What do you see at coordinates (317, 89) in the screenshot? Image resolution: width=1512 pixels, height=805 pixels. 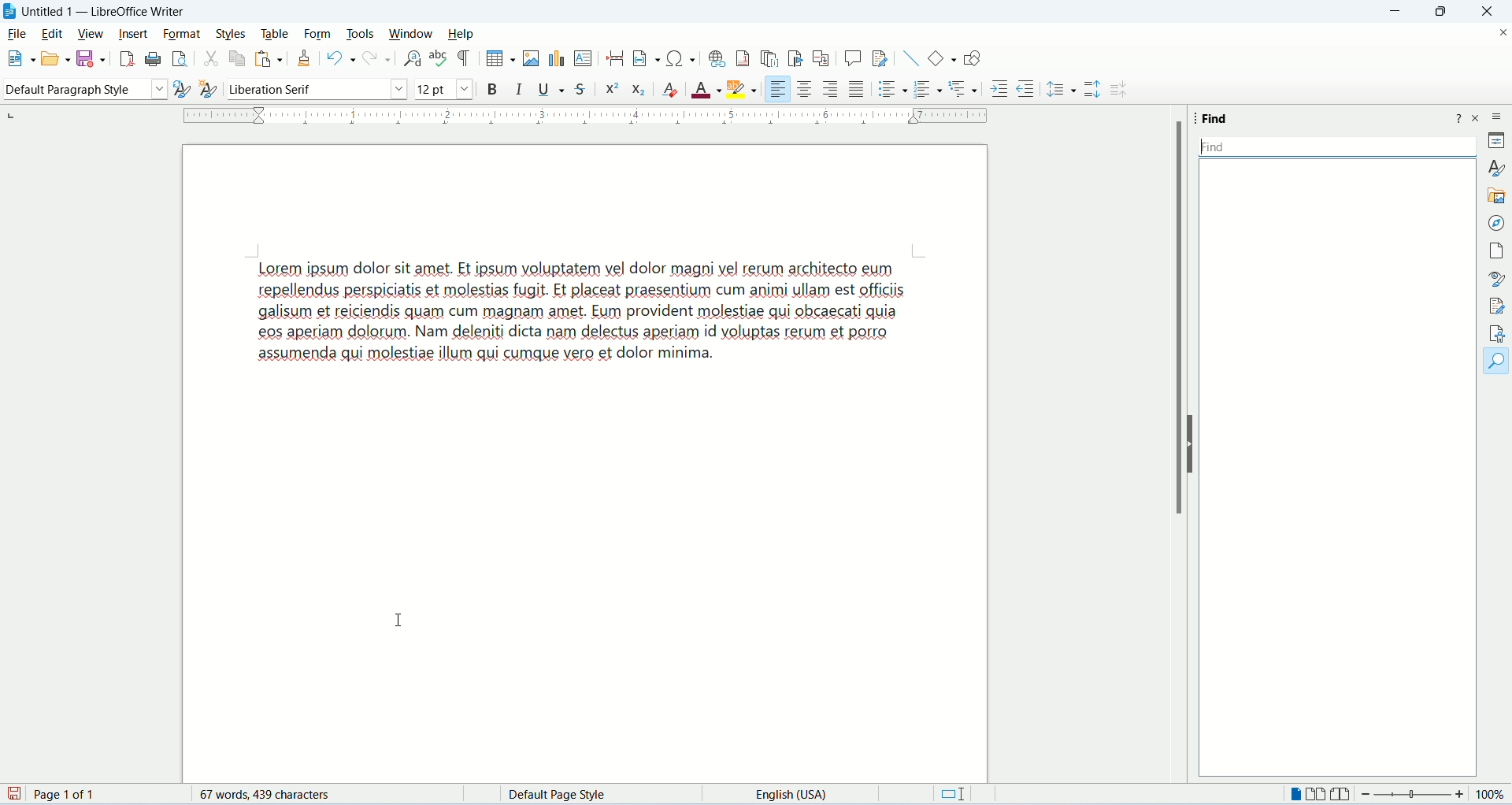 I see `font name` at bounding box center [317, 89].